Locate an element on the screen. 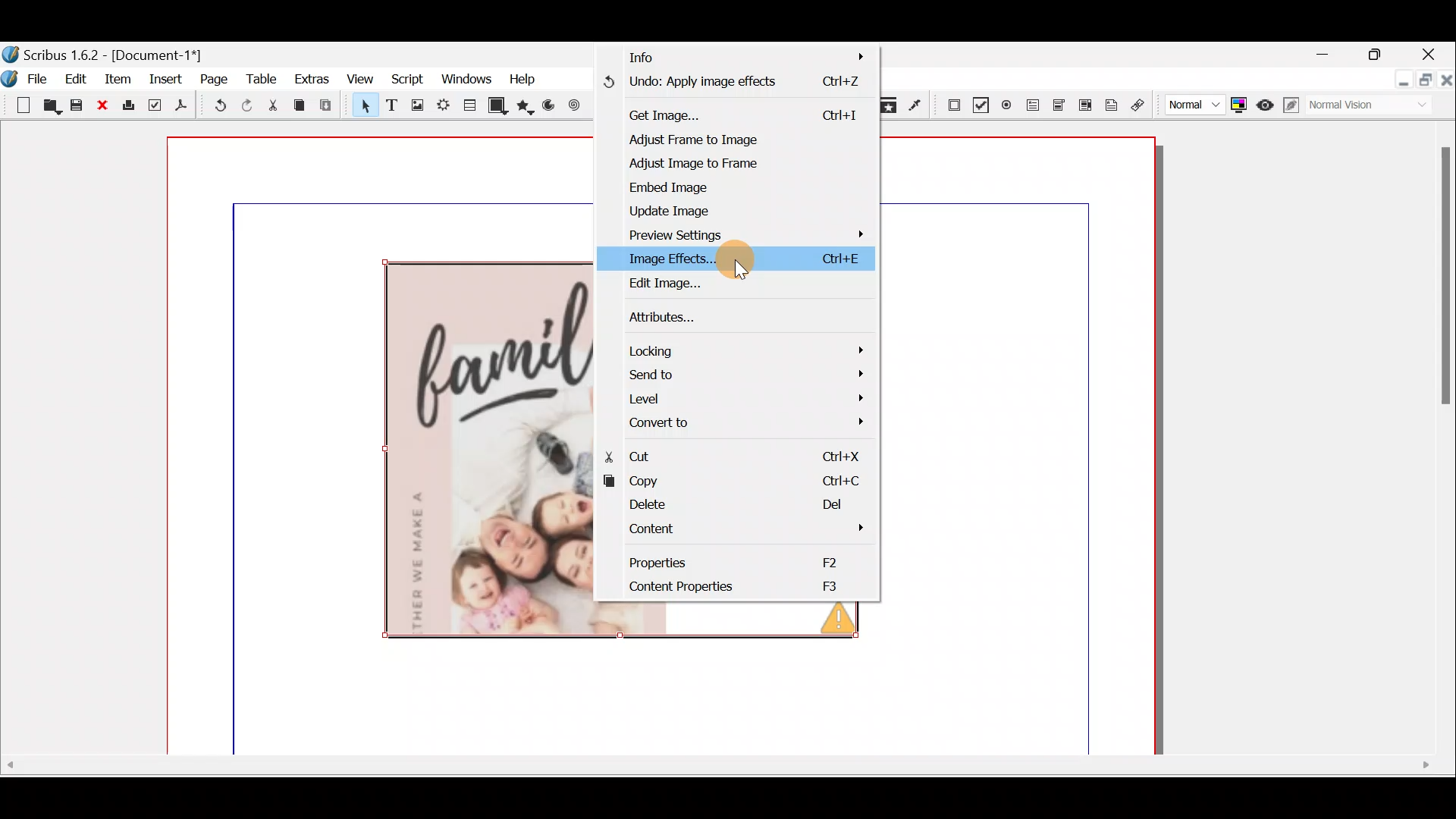  Render frame is located at coordinates (443, 108).